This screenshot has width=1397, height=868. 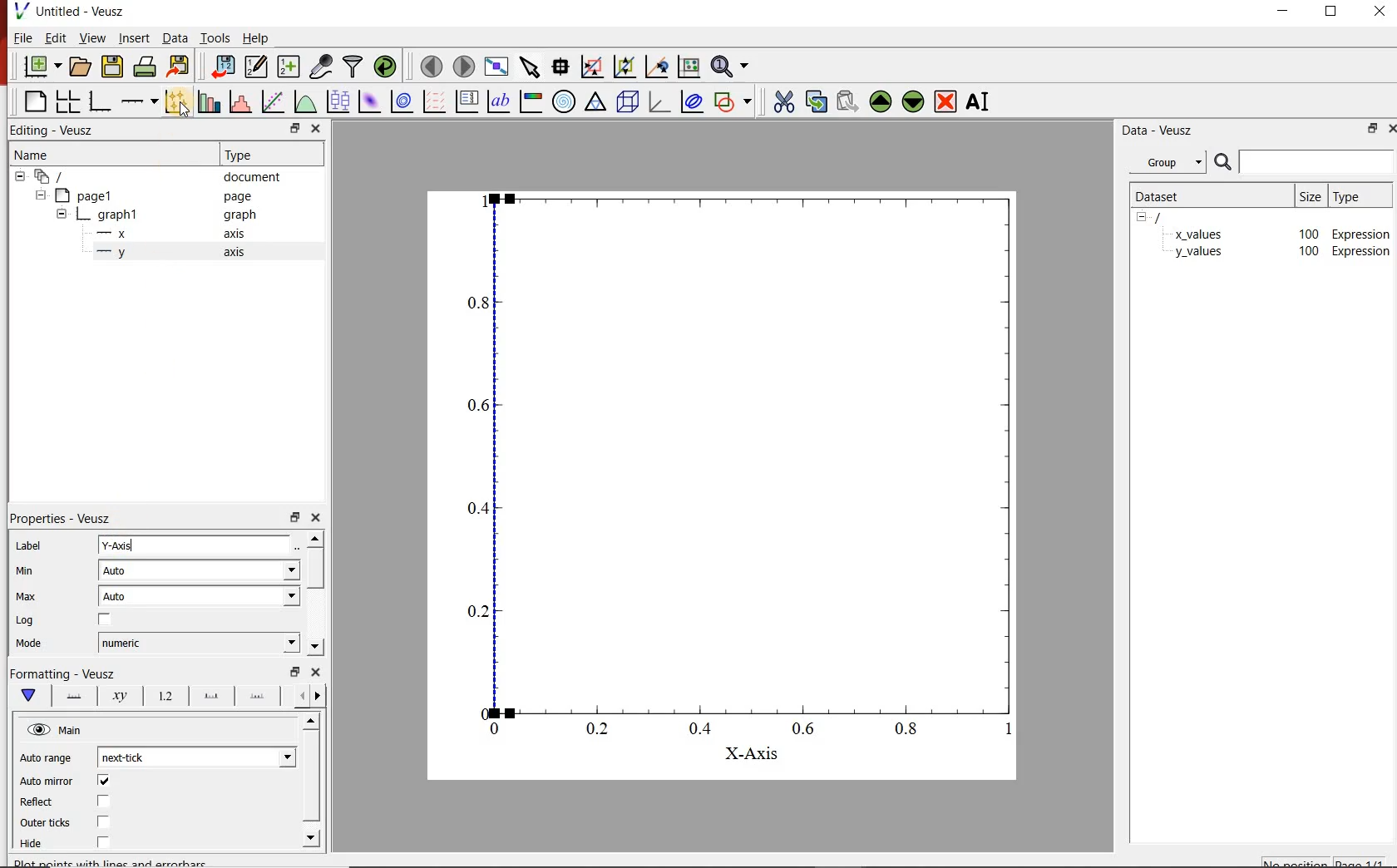 What do you see at coordinates (40, 195) in the screenshot?
I see `hide` at bounding box center [40, 195].